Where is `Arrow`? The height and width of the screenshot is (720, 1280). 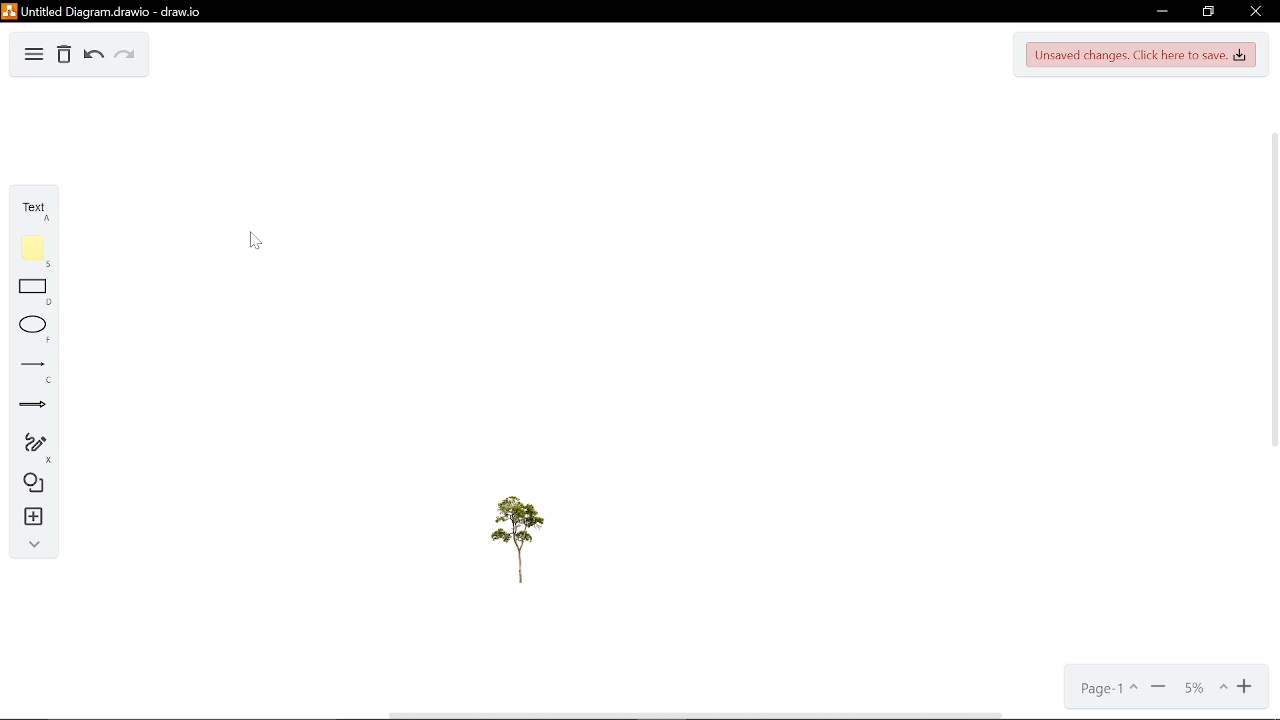 Arrow is located at coordinates (28, 402).